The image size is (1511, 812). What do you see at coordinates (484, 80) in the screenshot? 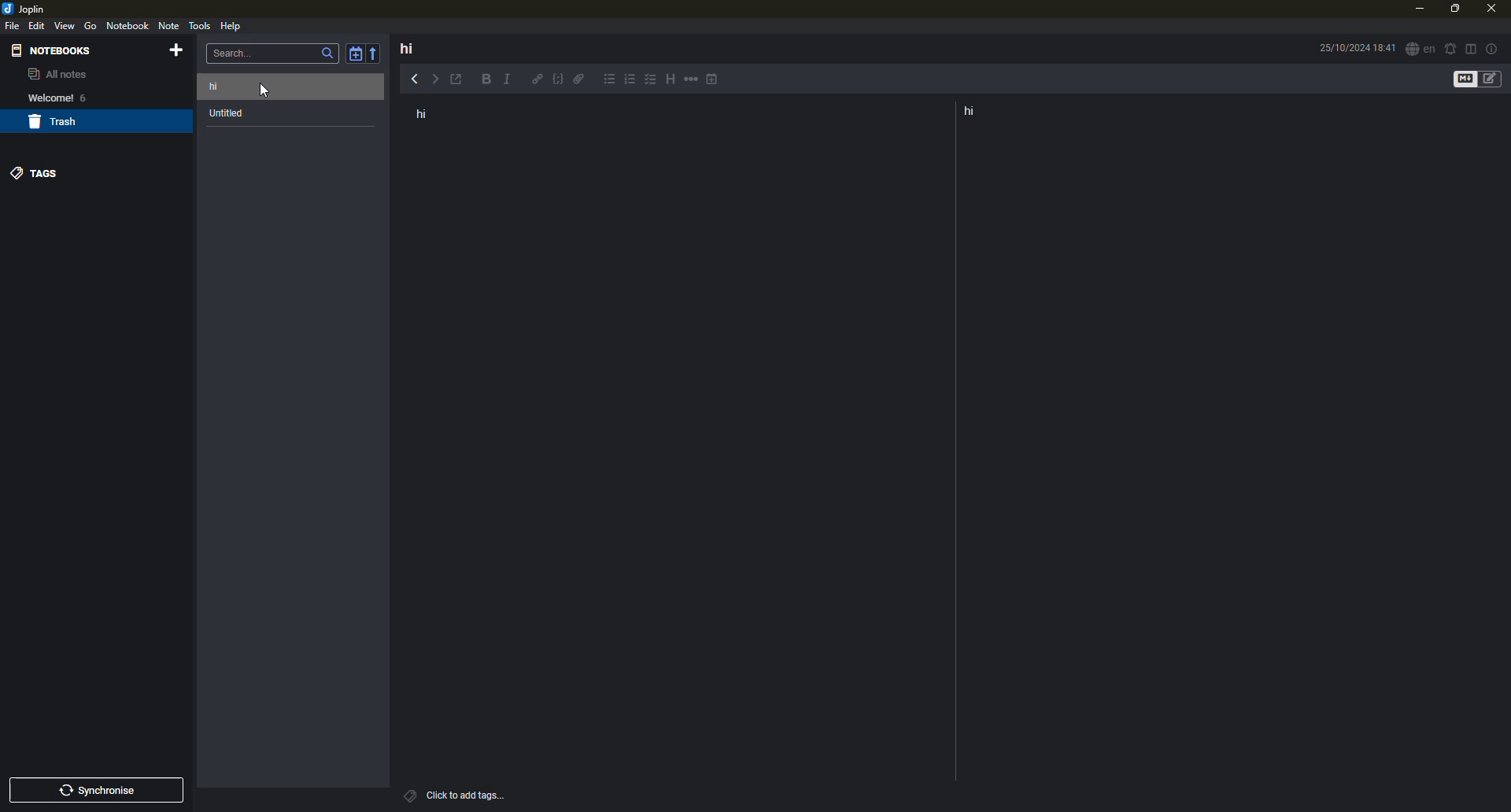
I see `bold` at bounding box center [484, 80].